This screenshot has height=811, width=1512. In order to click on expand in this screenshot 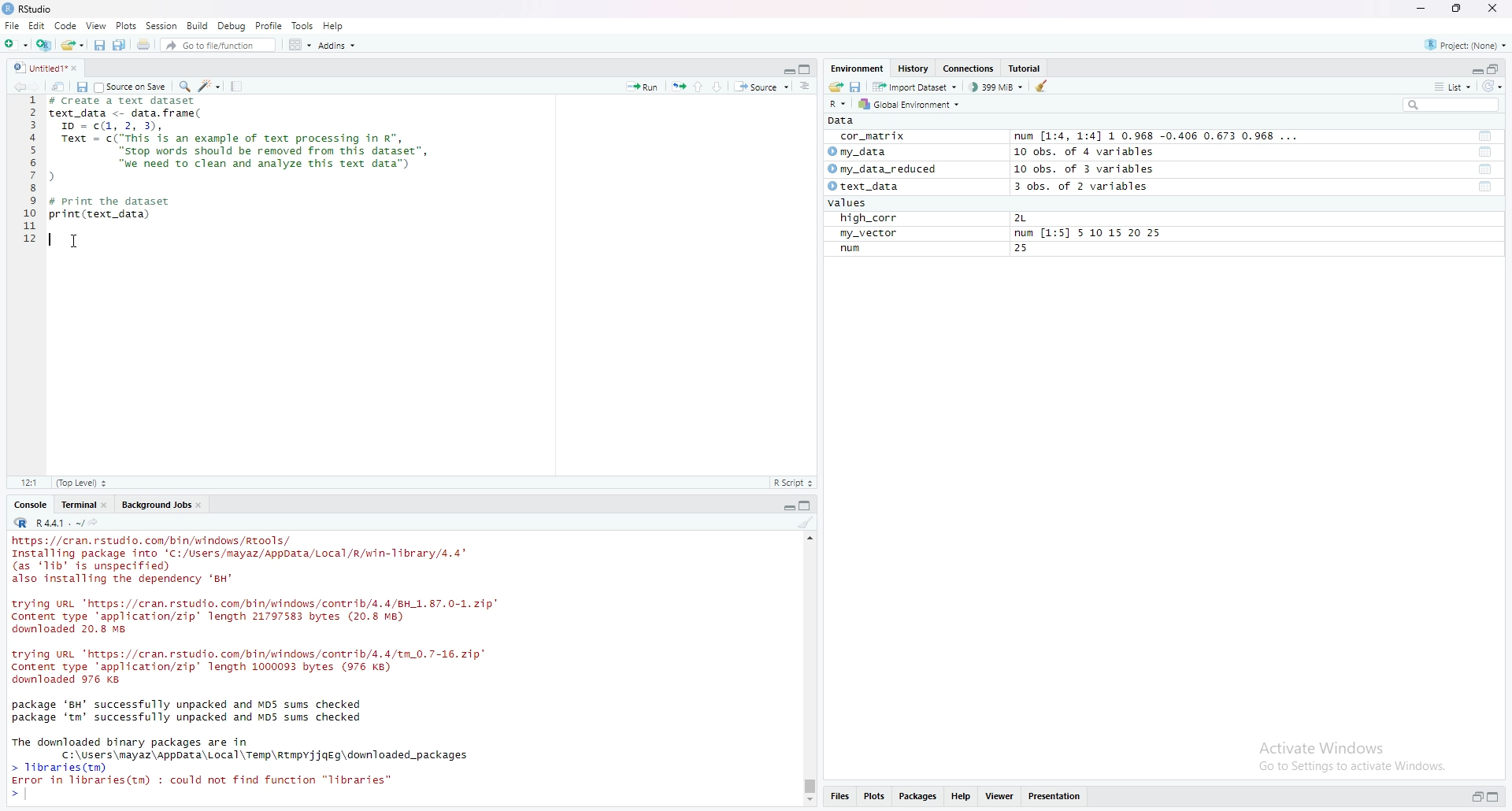, I will do `click(788, 71)`.